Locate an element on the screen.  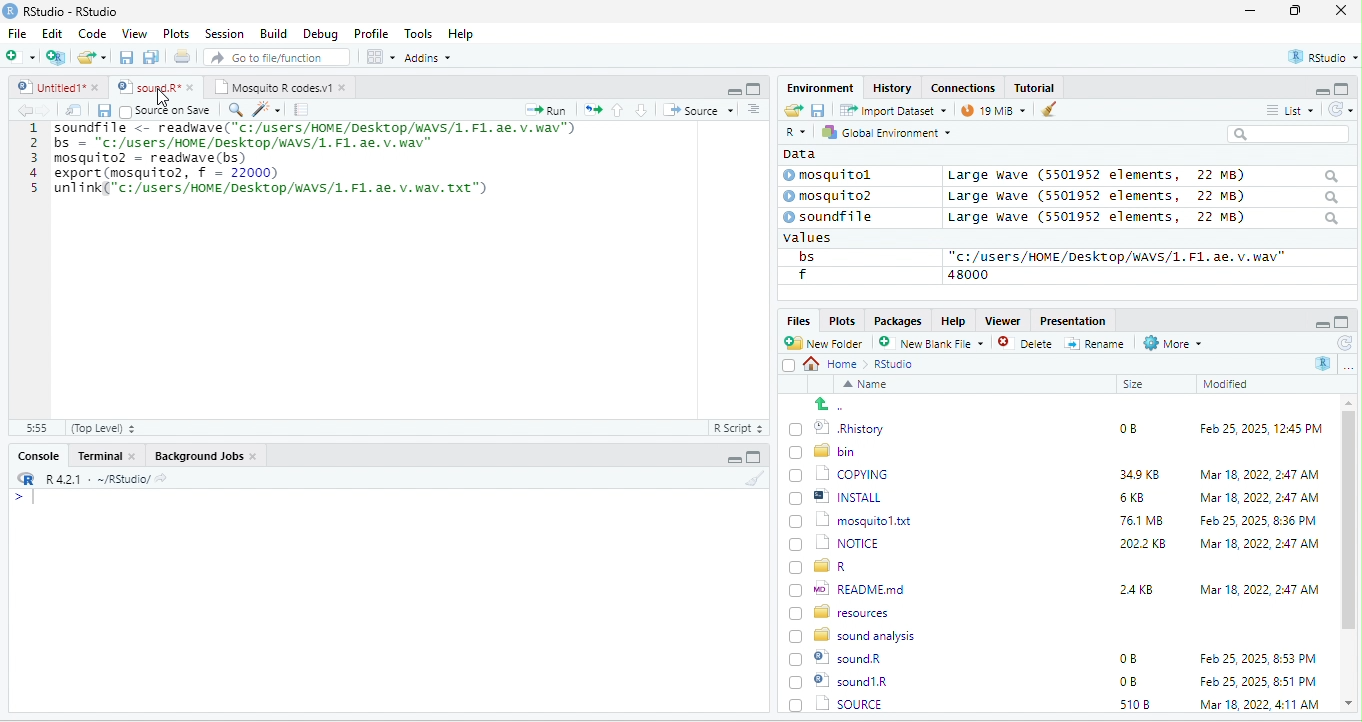
Console is located at coordinates (37, 454).